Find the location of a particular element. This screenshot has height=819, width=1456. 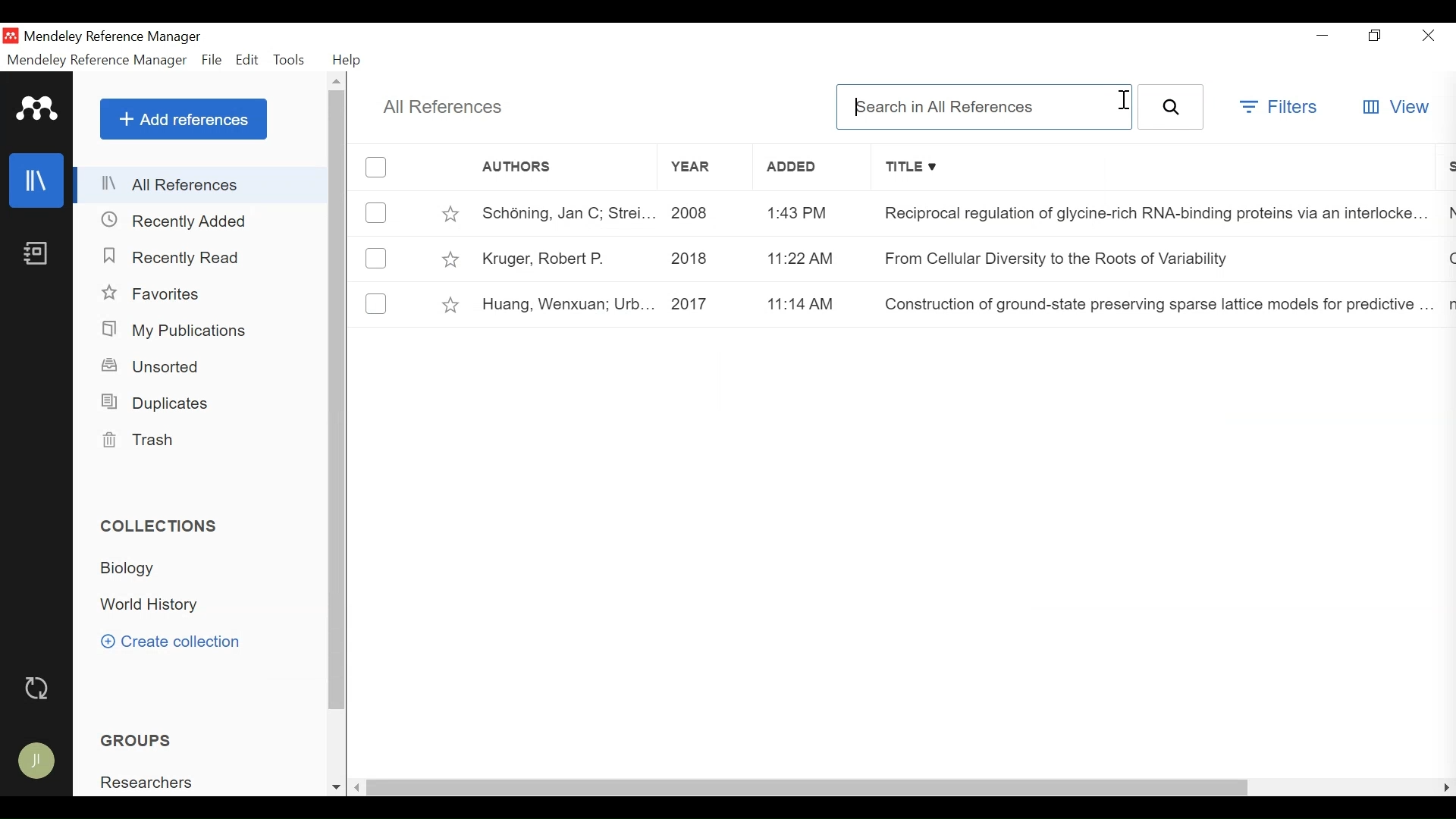

(un)select is located at coordinates (377, 168).